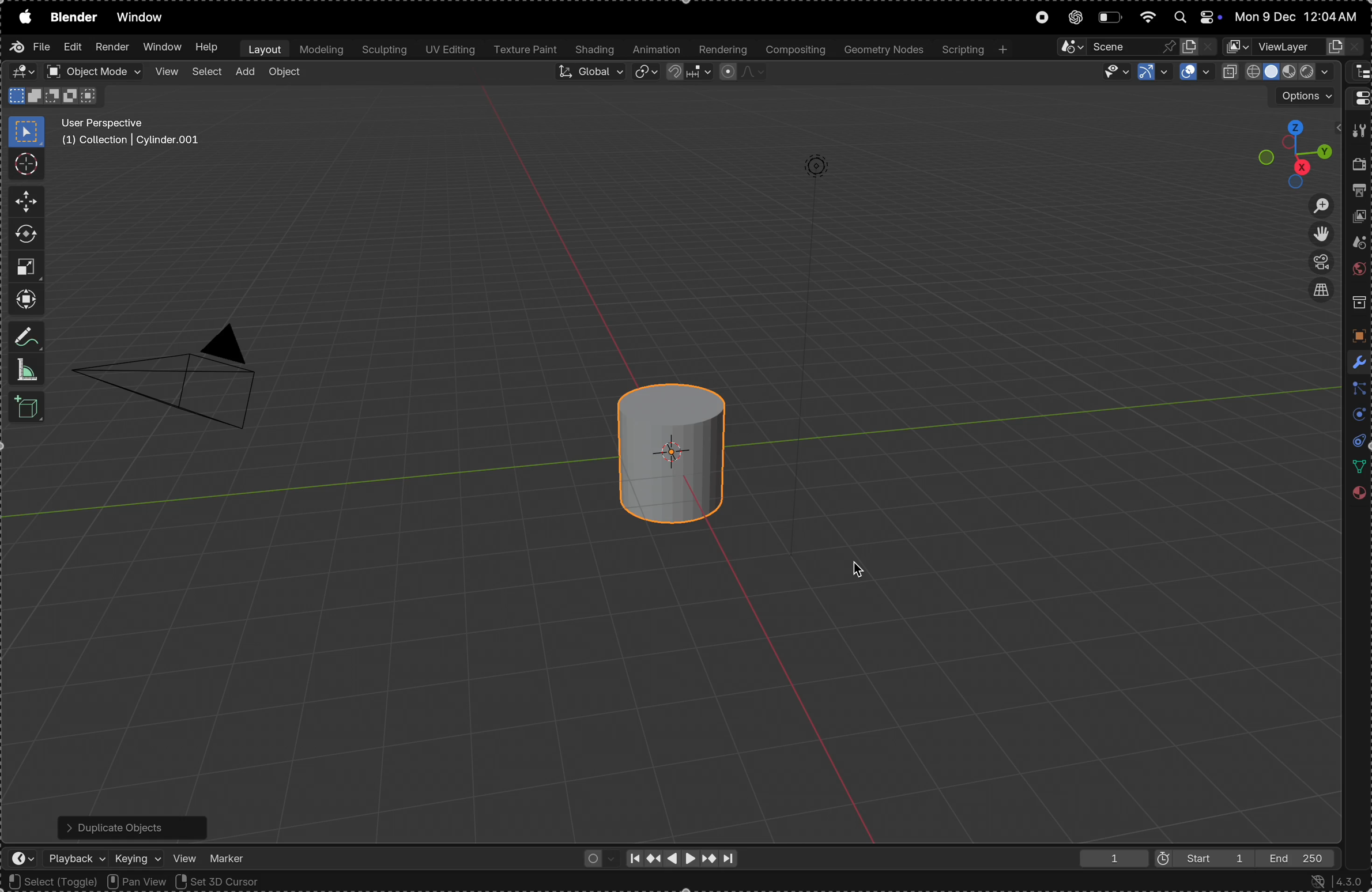  What do you see at coordinates (1197, 857) in the screenshot?
I see `start 1` at bounding box center [1197, 857].